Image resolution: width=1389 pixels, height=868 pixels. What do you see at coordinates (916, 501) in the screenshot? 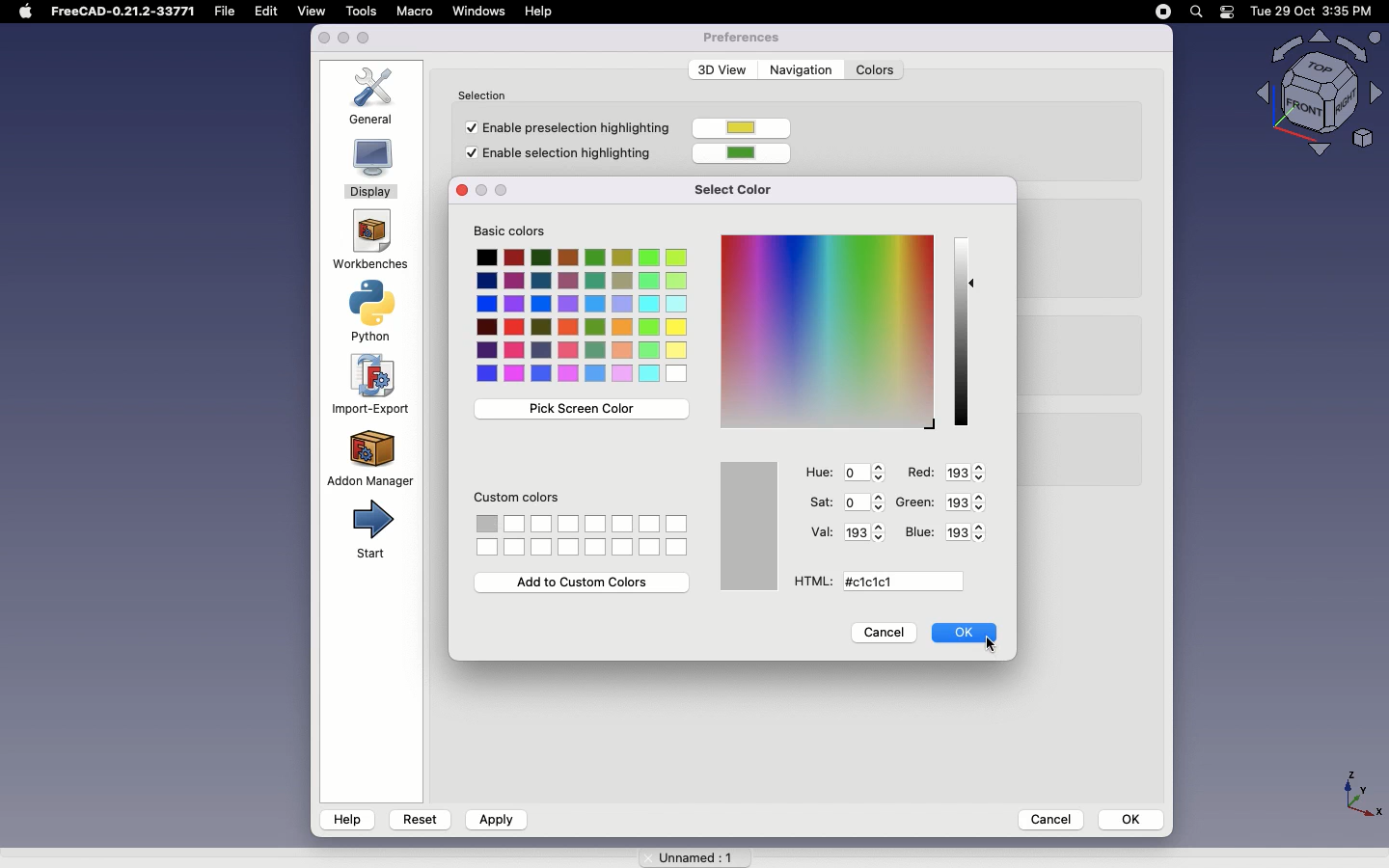
I see `Green` at bounding box center [916, 501].